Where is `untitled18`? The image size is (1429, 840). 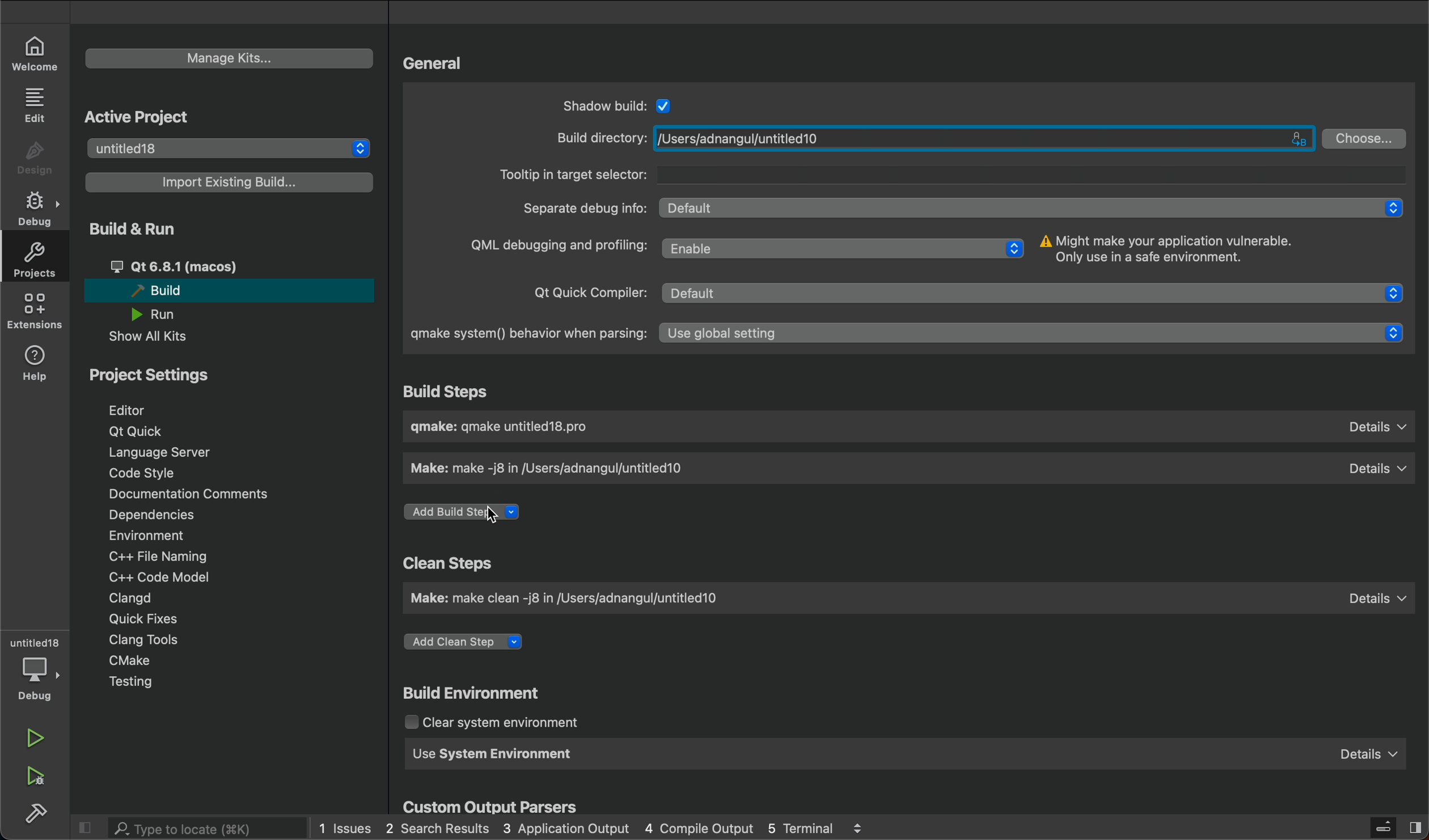
untitled18 is located at coordinates (230, 146).